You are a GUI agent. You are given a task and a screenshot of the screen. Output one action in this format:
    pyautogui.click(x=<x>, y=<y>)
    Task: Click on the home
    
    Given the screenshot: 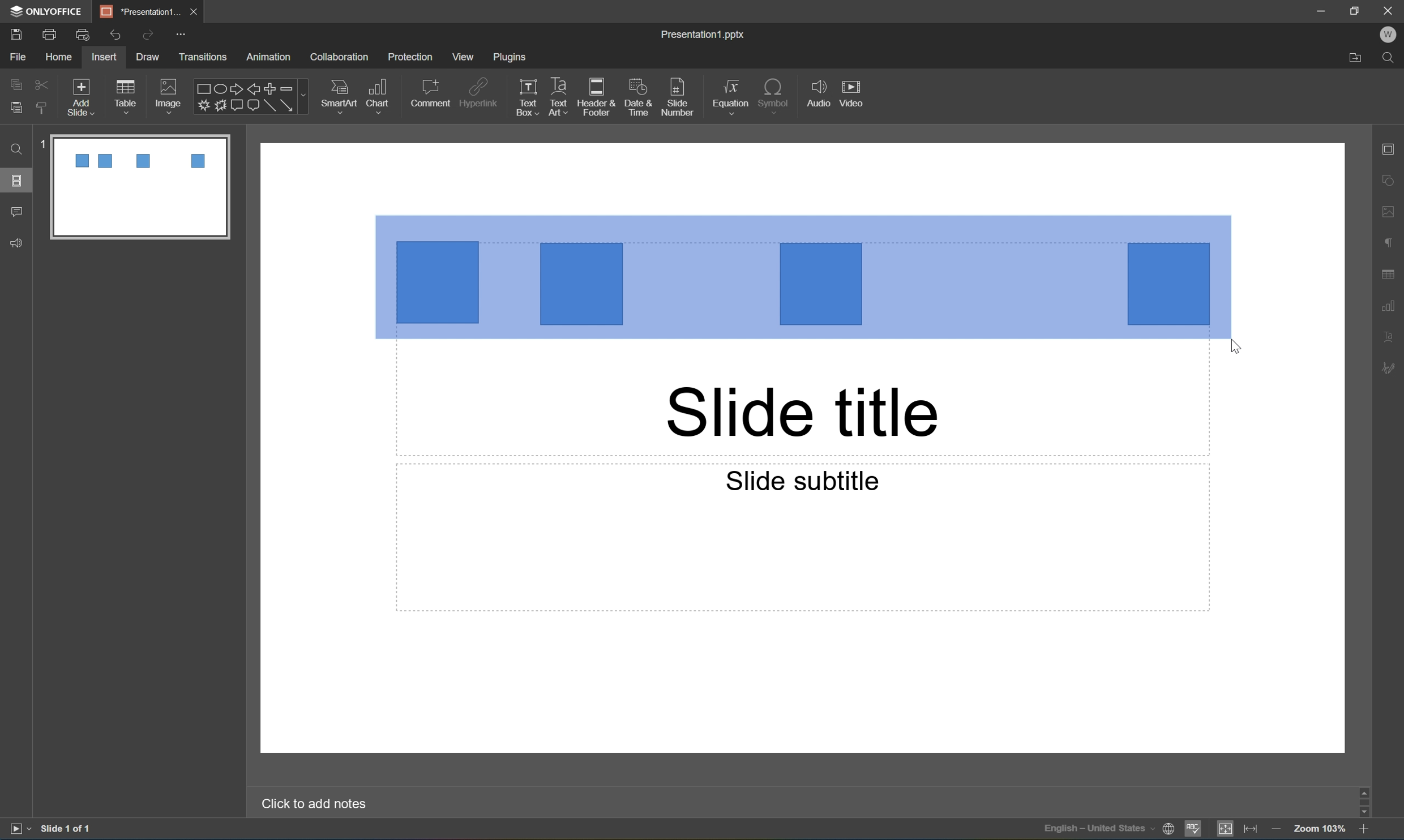 What is the action you would take?
    pyautogui.click(x=58, y=58)
    